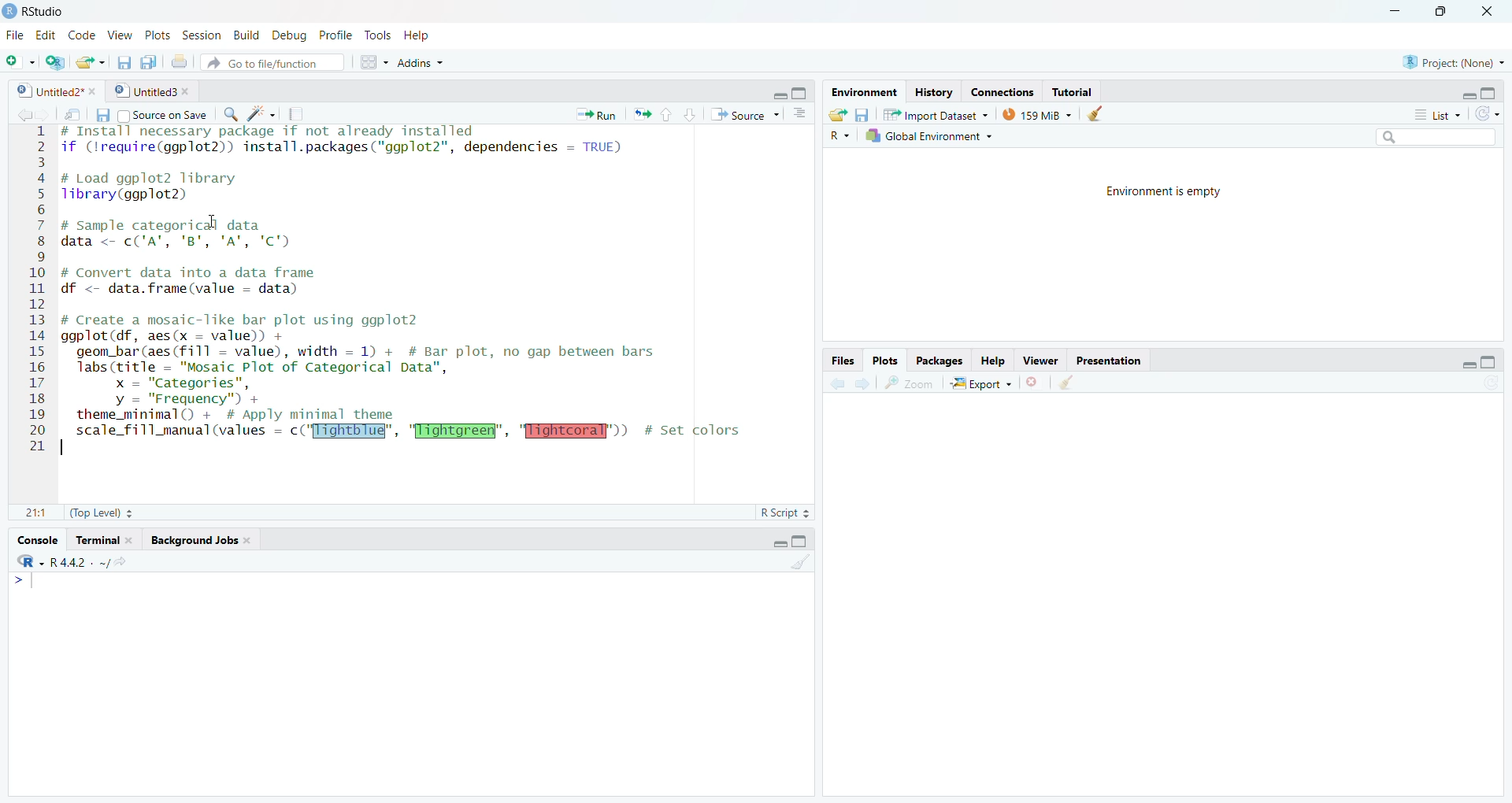 Image resolution: width=1512 pixels, height=803 pixels. Describe the element at coordinates (665, 115) in the screenshot. I see `Up` at that location.